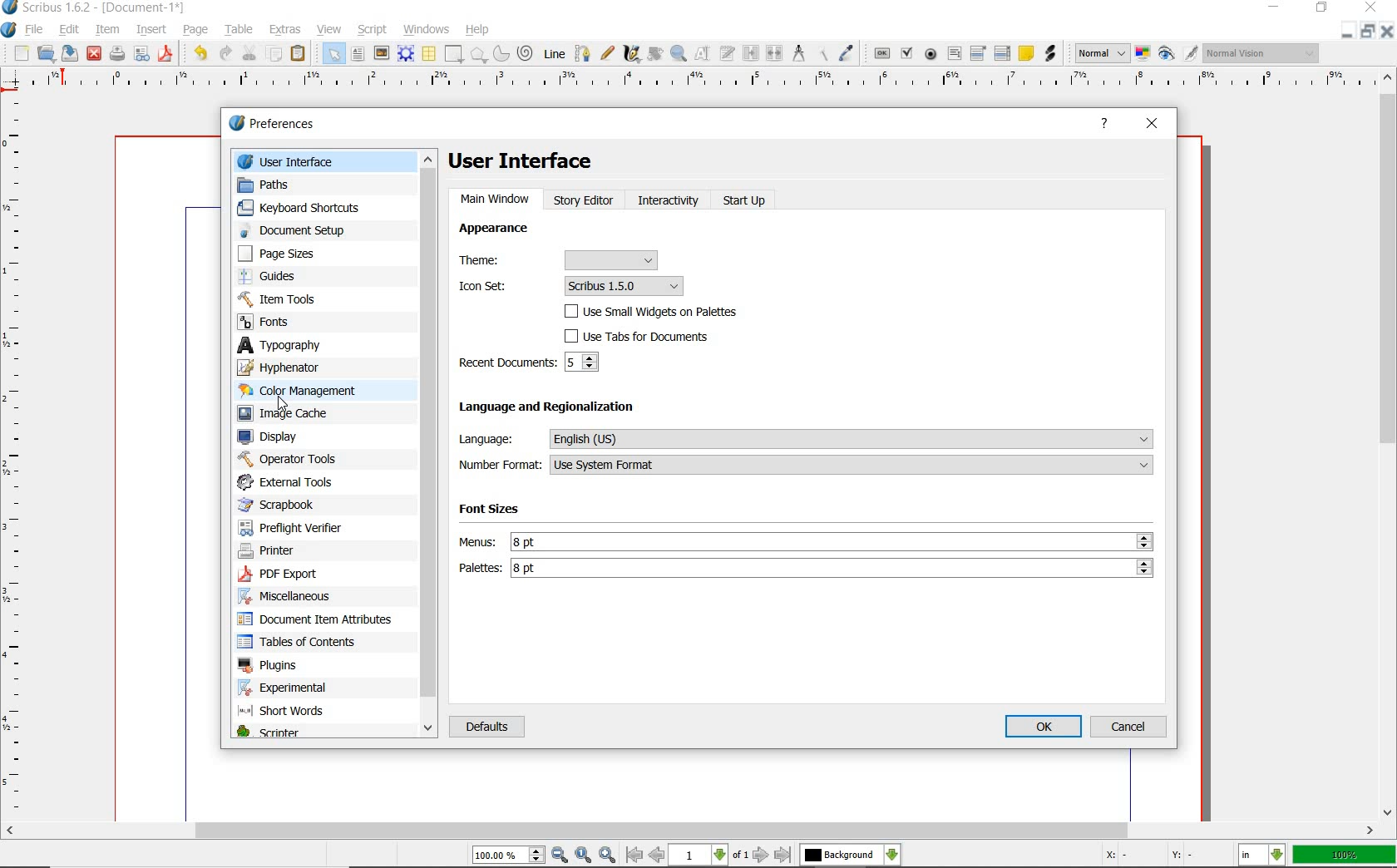  I want to click on external tools, so click(290, 482).